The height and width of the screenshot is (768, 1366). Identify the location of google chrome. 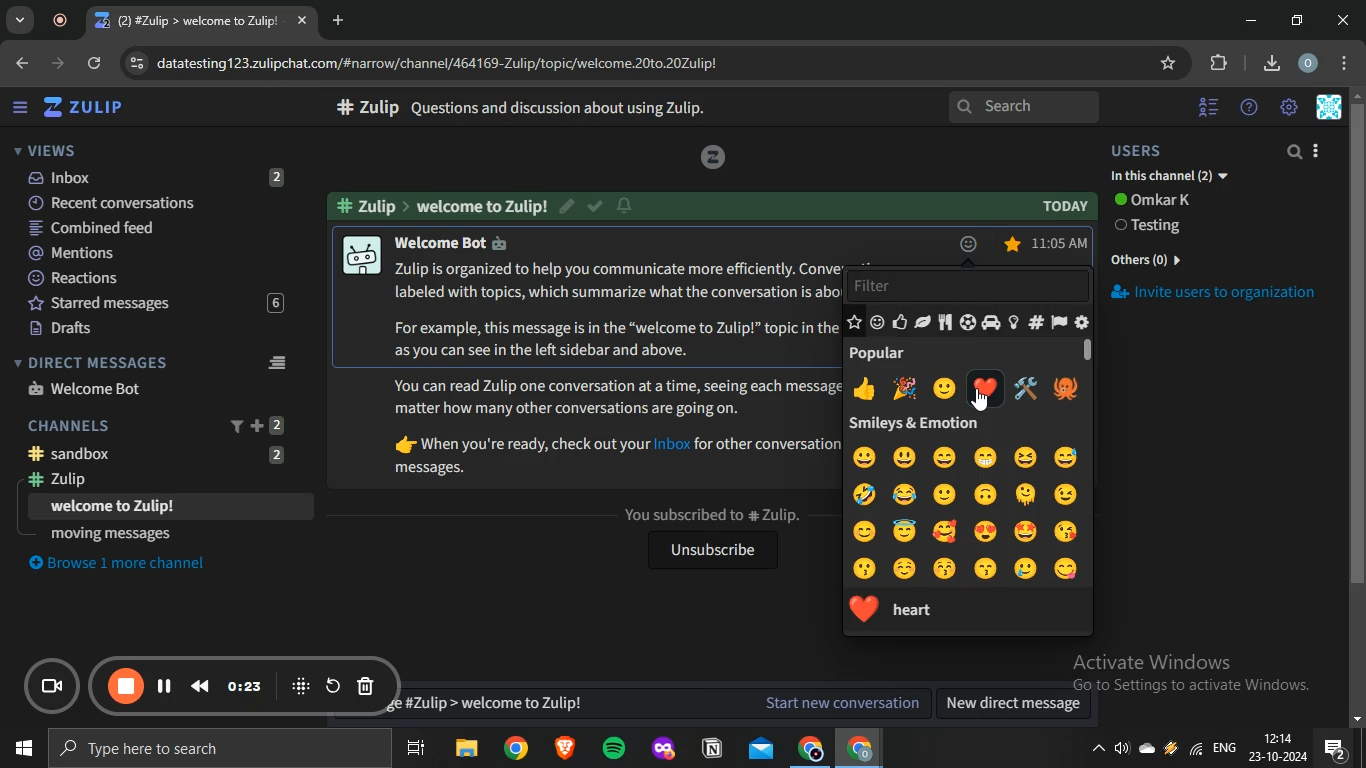
(858, 749).